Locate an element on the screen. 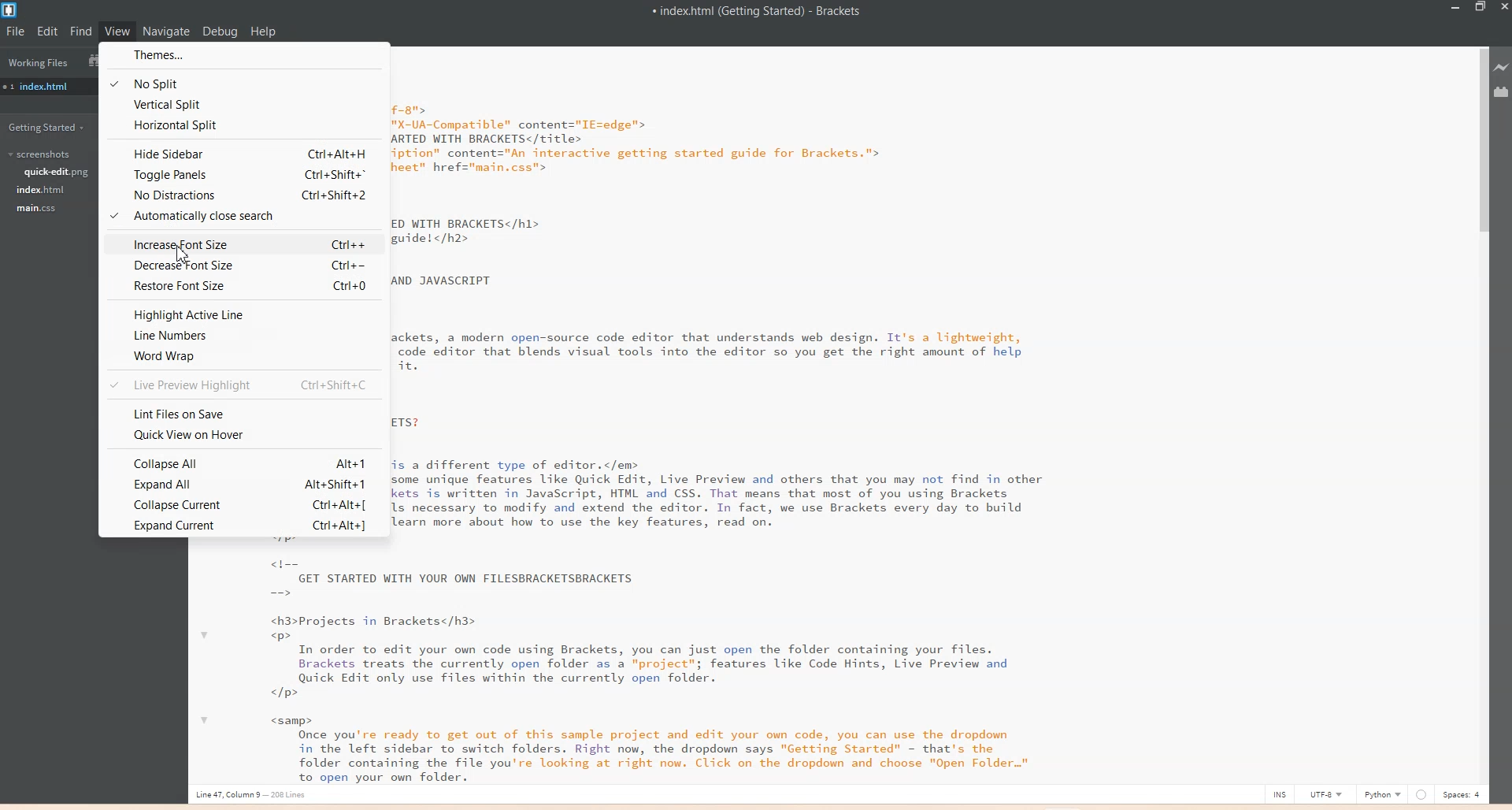 Image resolution: width=1512 pixels, height=810 pixels. No Distractions is located at coordinates (243, 197).